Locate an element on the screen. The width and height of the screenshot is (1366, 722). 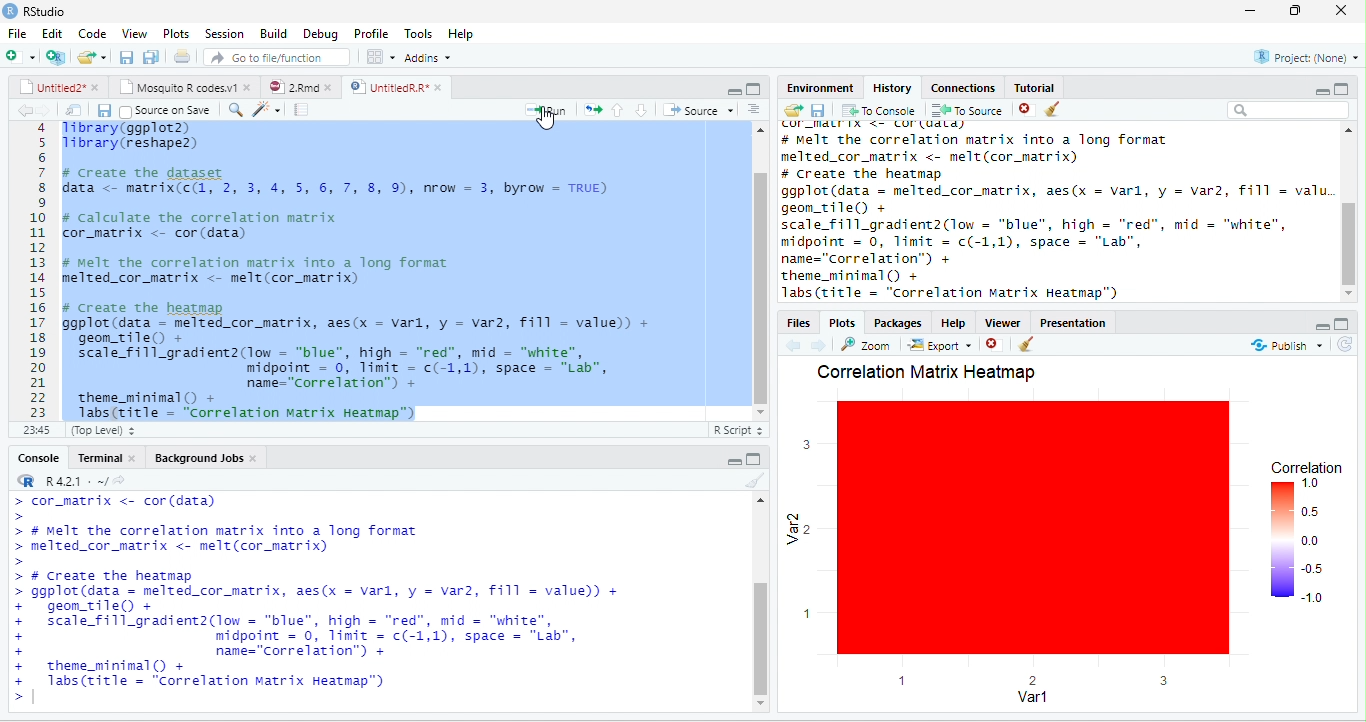
arrows is located at coordinates (592, 111).